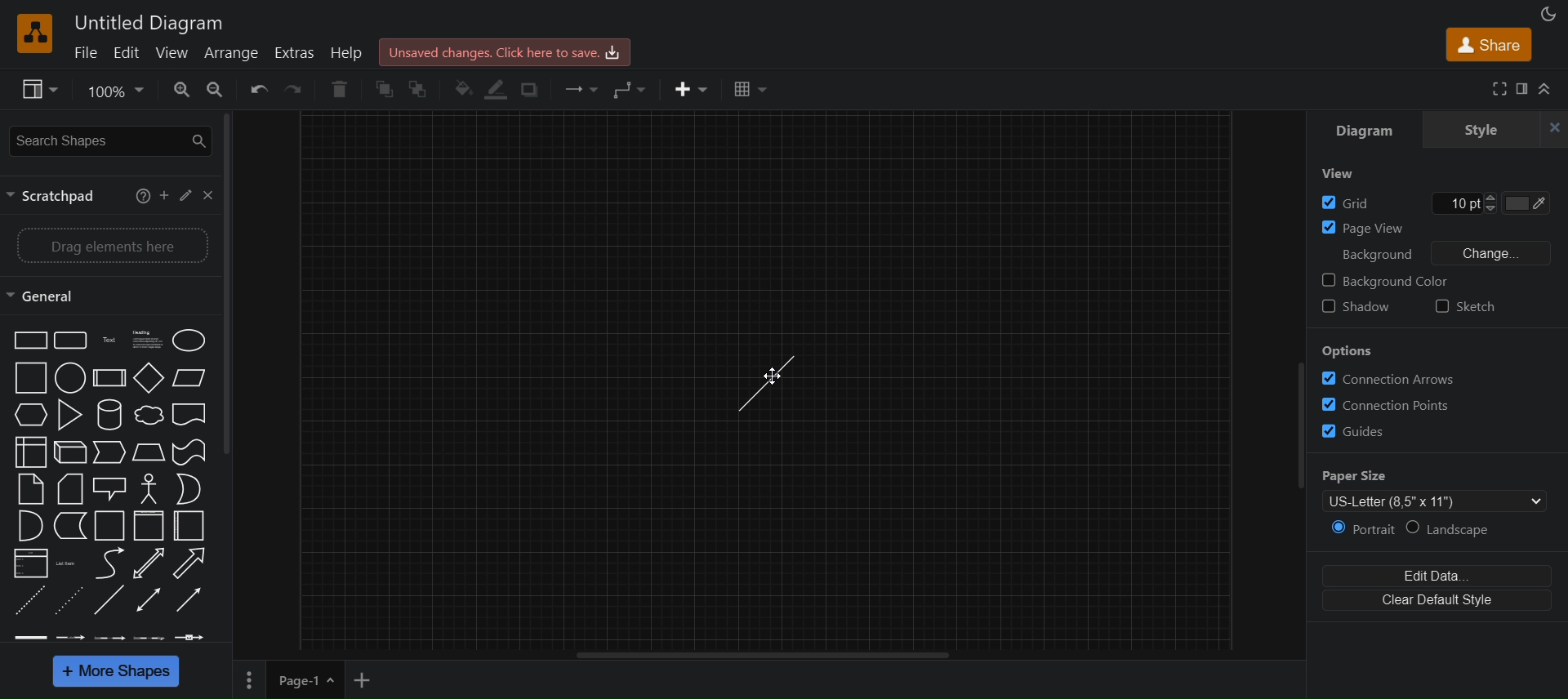 Image resolution: width=1568 pixels, height=699 pixels. I want to click on Or, so click(188, 489).